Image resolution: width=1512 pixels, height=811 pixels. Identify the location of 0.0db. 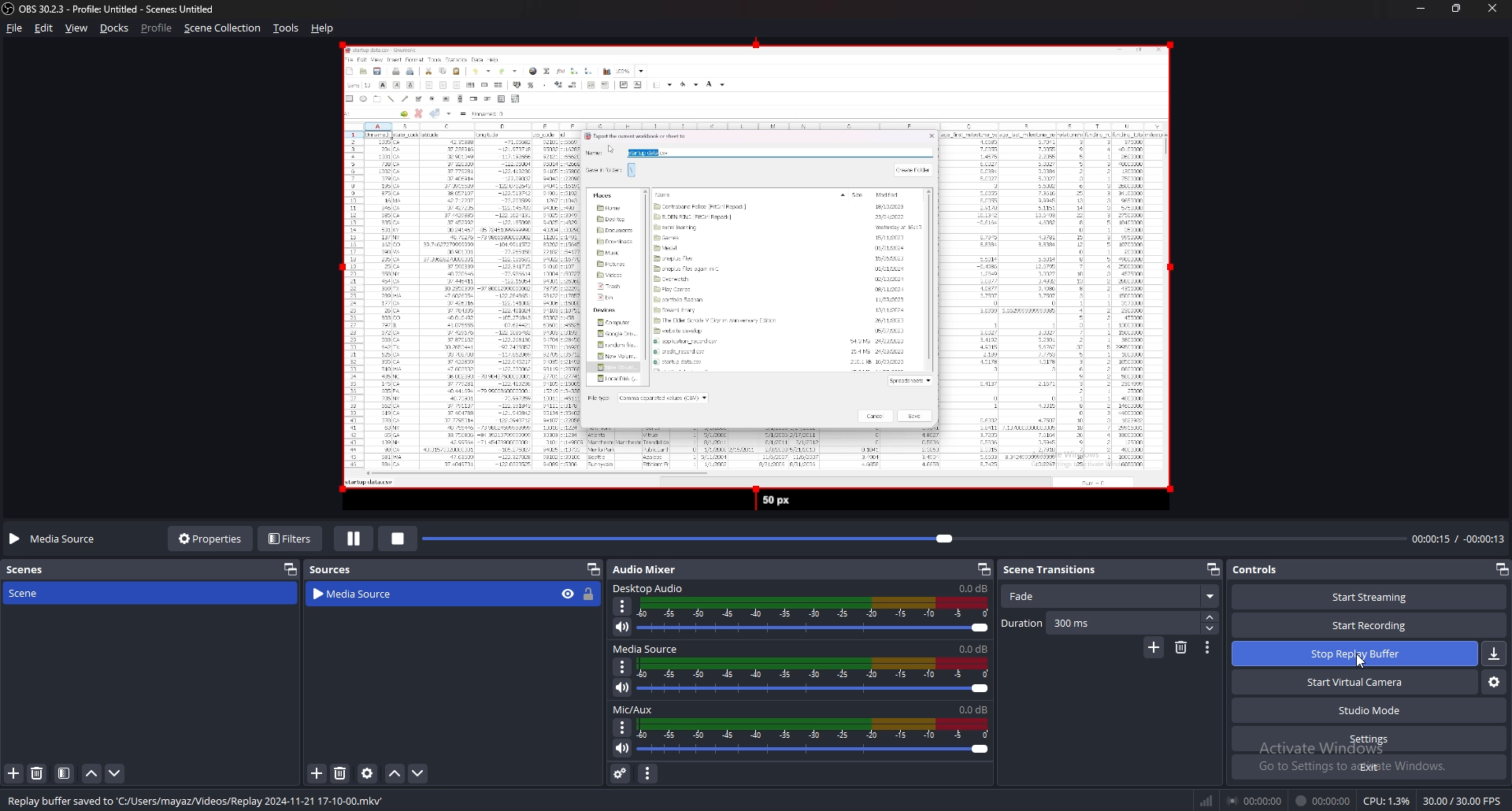
(975, 648).